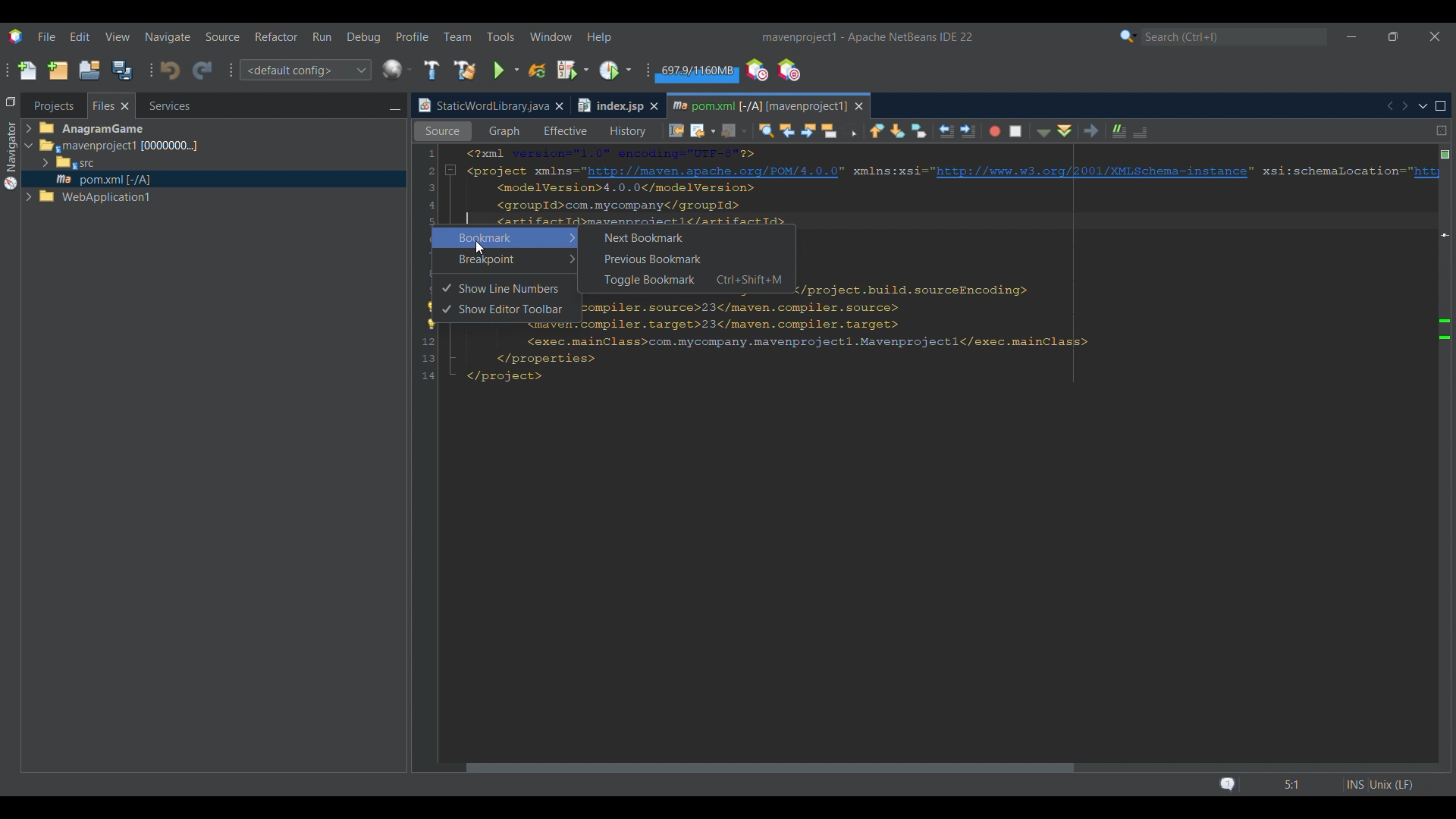 The image size is (1456, 819). Describe the element at coordinates (439, 131) in the screenshot. I see `Source view` at that location.